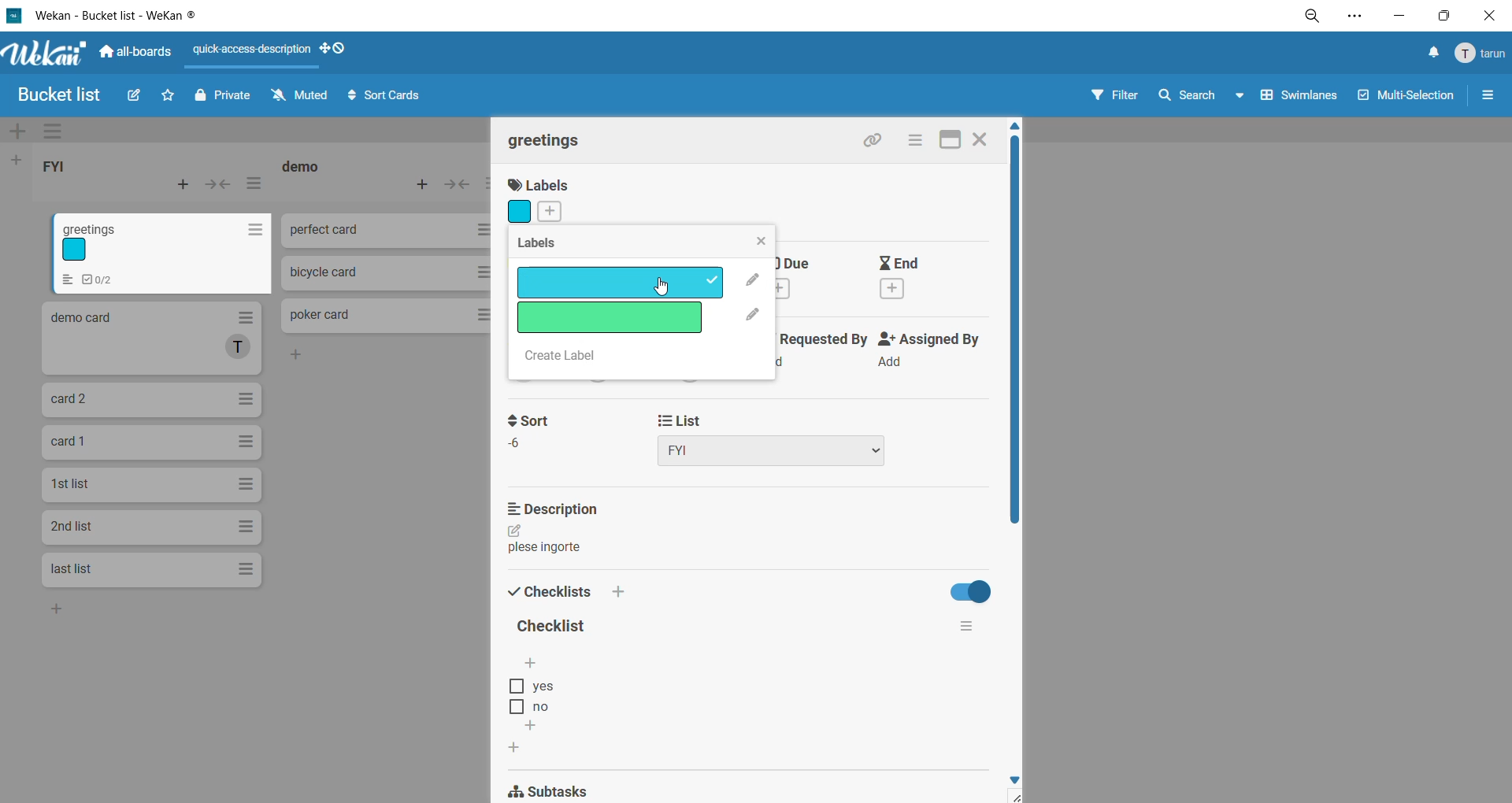 This screenshot has width=1512, height=803. What do you see at coordinates (614, 318) in the screenshot?
I see `label` at bounding box center [614, 318].